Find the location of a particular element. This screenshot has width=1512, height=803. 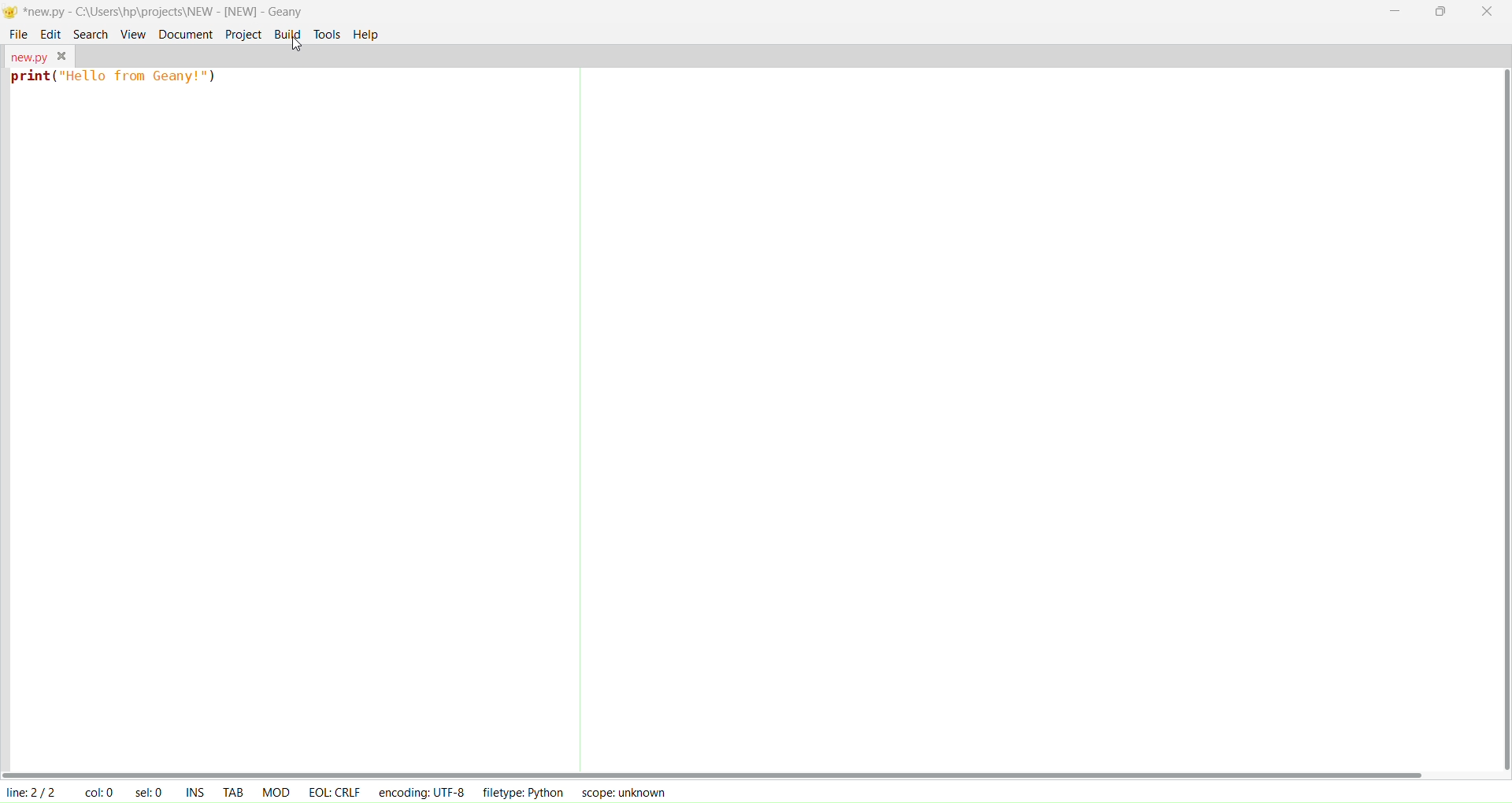

file type: Python is located at coordinates (521, 794).